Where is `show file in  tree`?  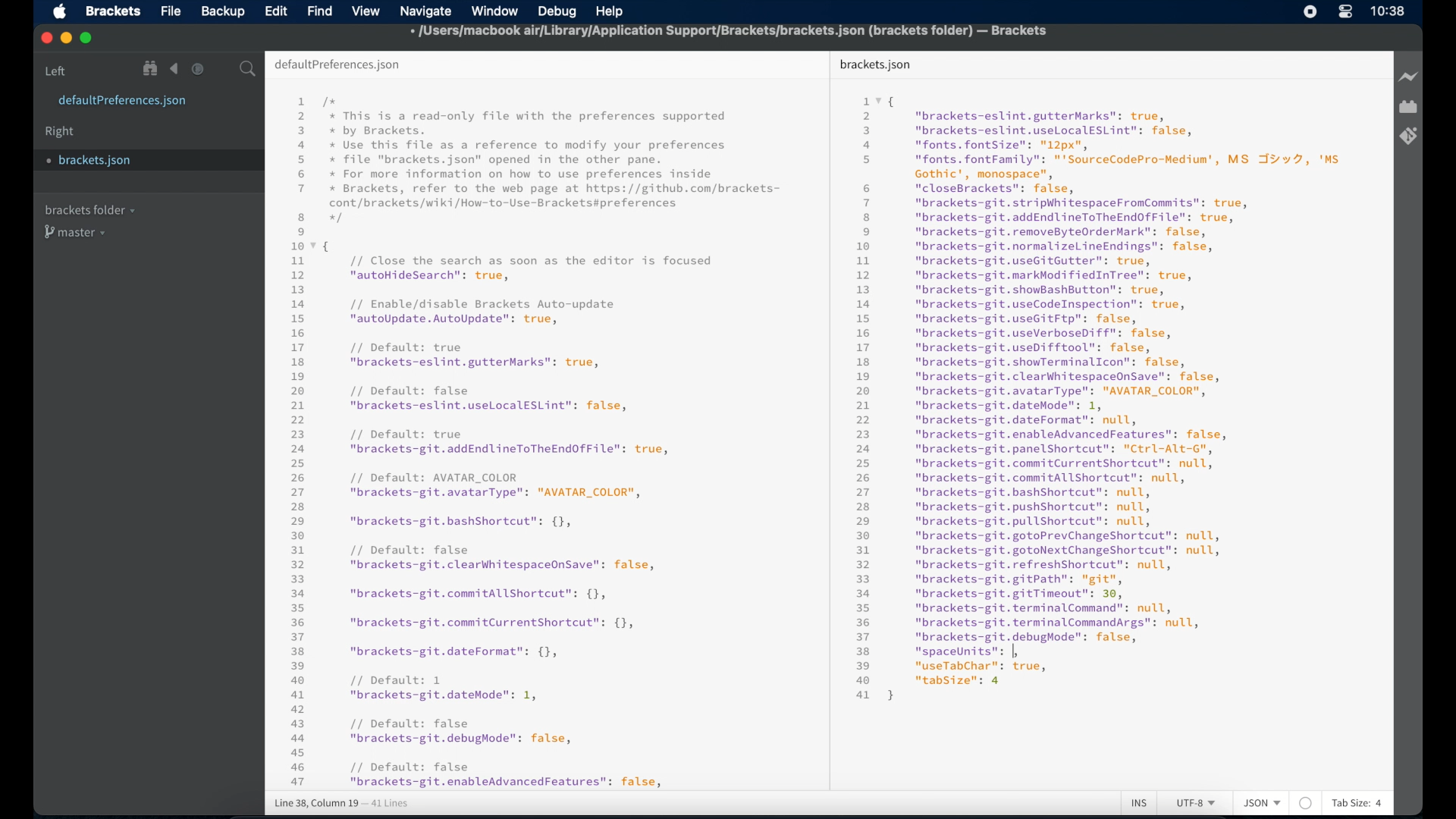 show file in  tree is located at coordinates (151, 68).